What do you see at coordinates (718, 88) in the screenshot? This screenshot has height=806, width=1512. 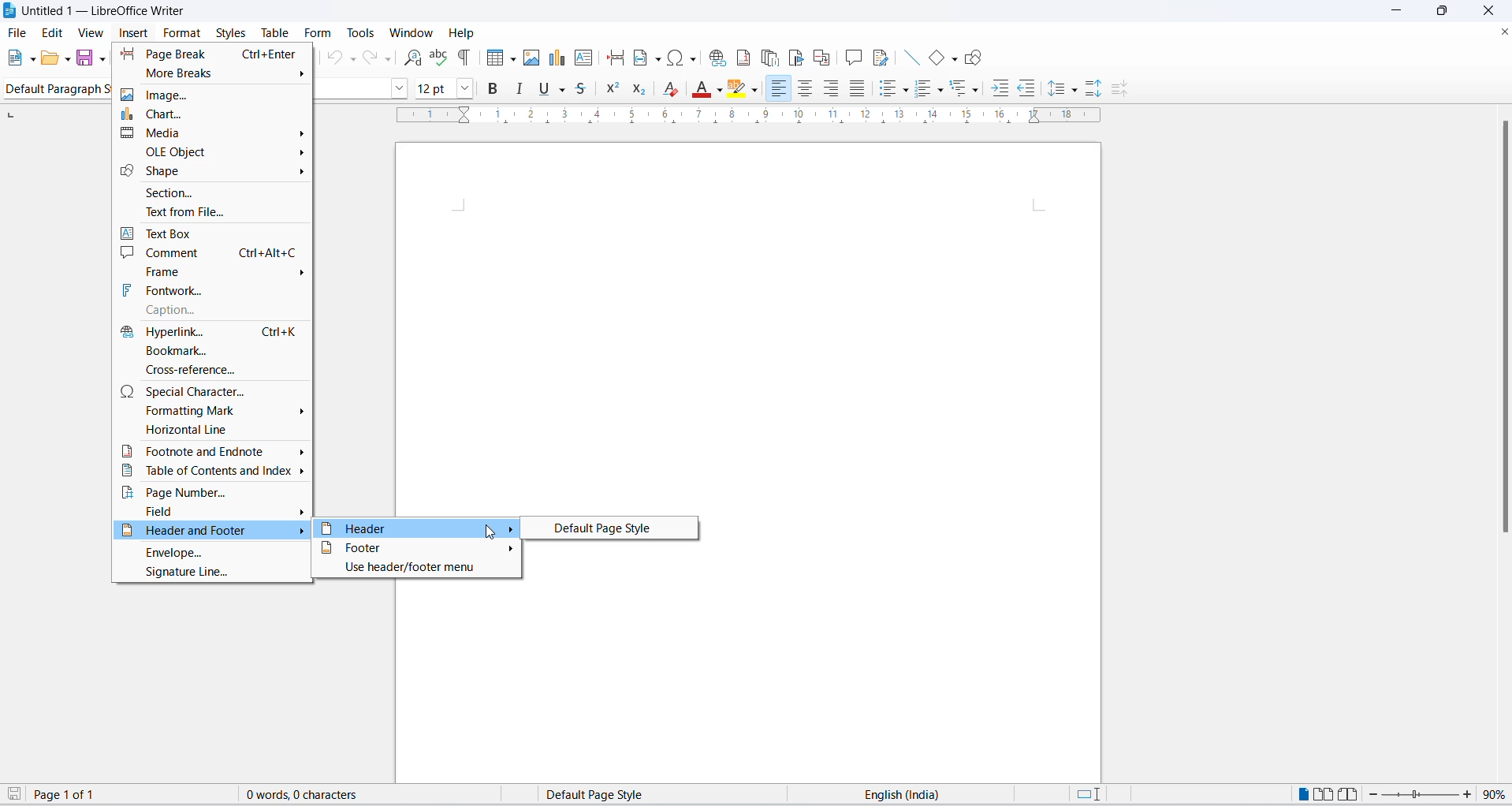 I see `font color options` at bounding box center [718, 88].